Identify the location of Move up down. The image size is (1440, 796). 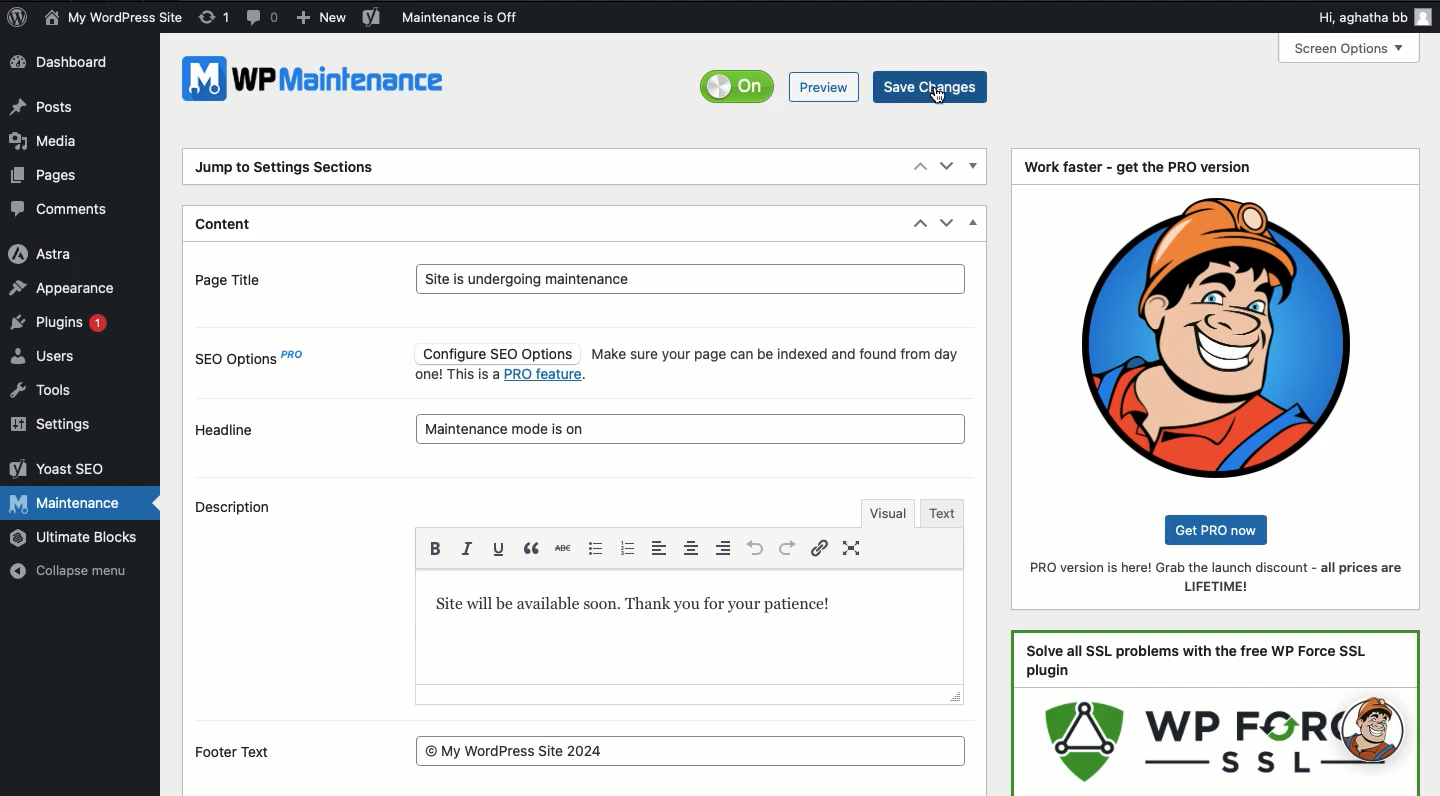
(934, 165).